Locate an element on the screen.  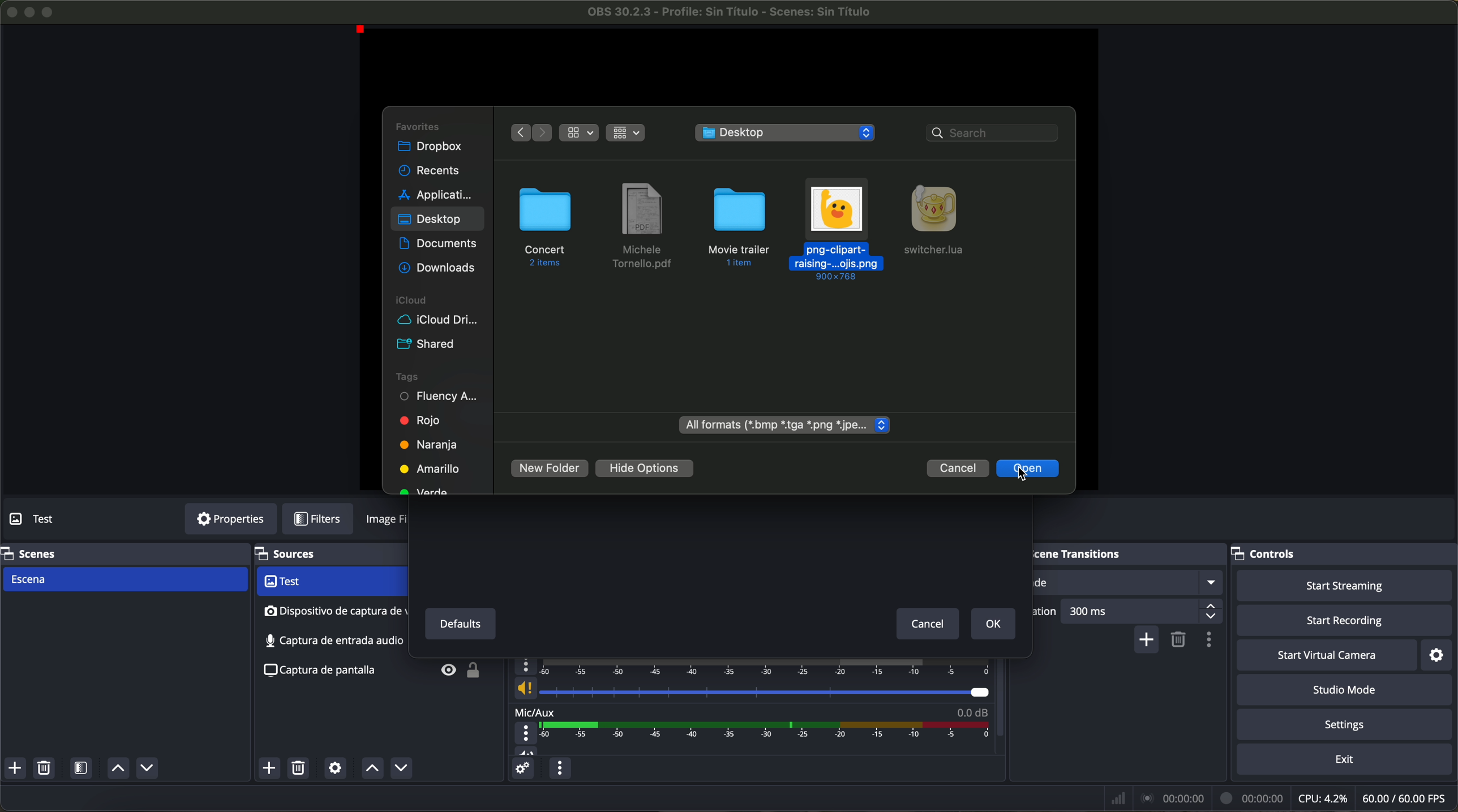
filters is located at coordinates (324, 519).